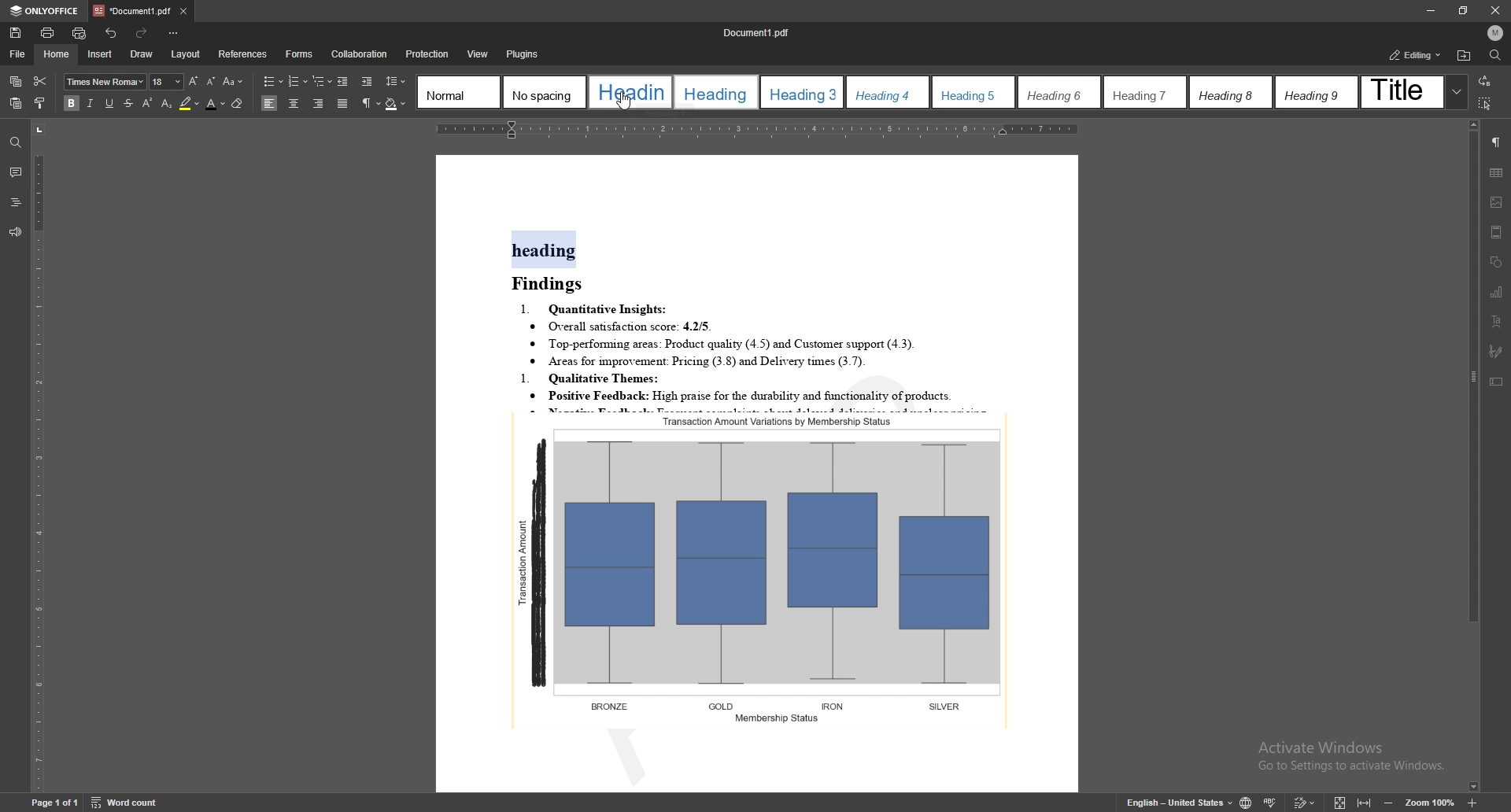 Image resolution: width=1511 pixels, height=812 pixels. Describe the element at coordinates (1496, 56) in the screenshot. I see `find` at that location.